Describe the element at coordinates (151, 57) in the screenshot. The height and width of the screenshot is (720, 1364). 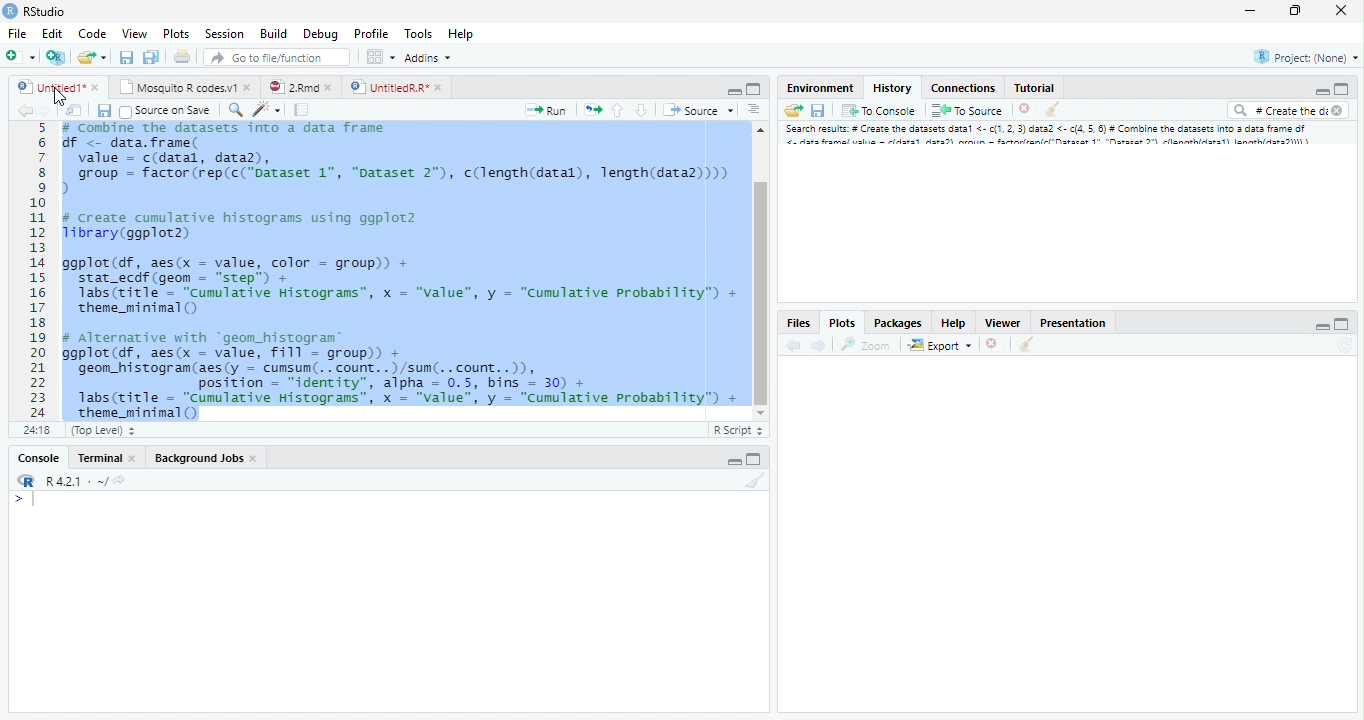
I see `Save all` at that location.